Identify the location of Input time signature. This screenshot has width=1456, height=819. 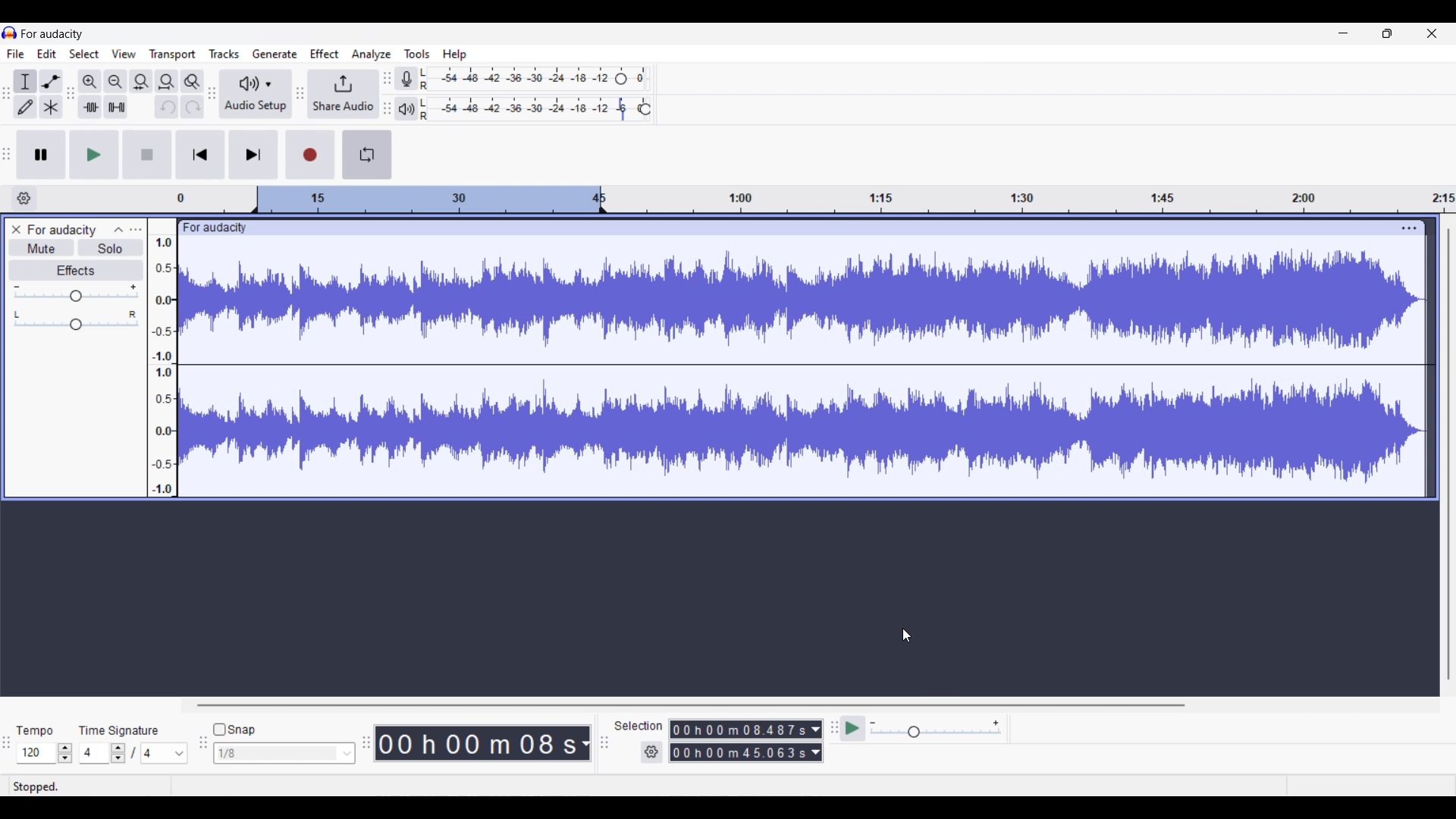
(93, 753).